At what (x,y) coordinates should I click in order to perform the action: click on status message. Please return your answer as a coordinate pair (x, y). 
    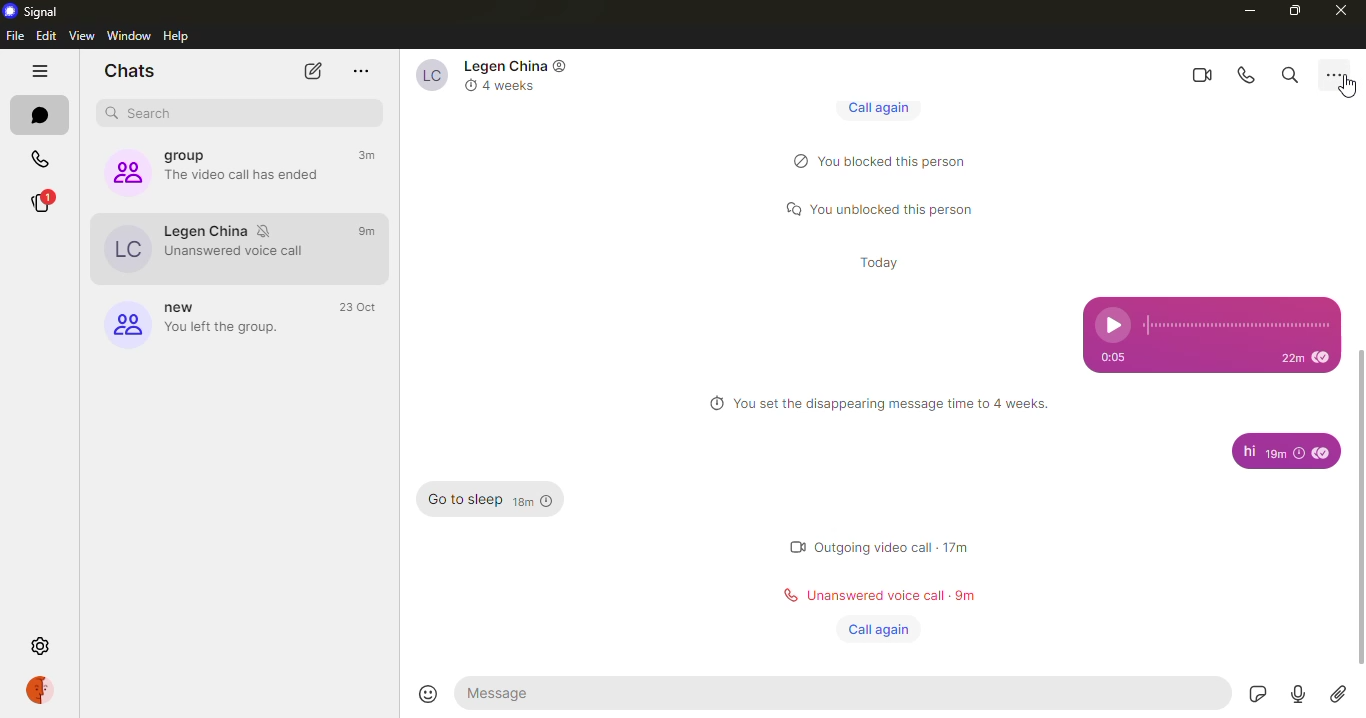
    Looking at the image, I should click on (883, 161).